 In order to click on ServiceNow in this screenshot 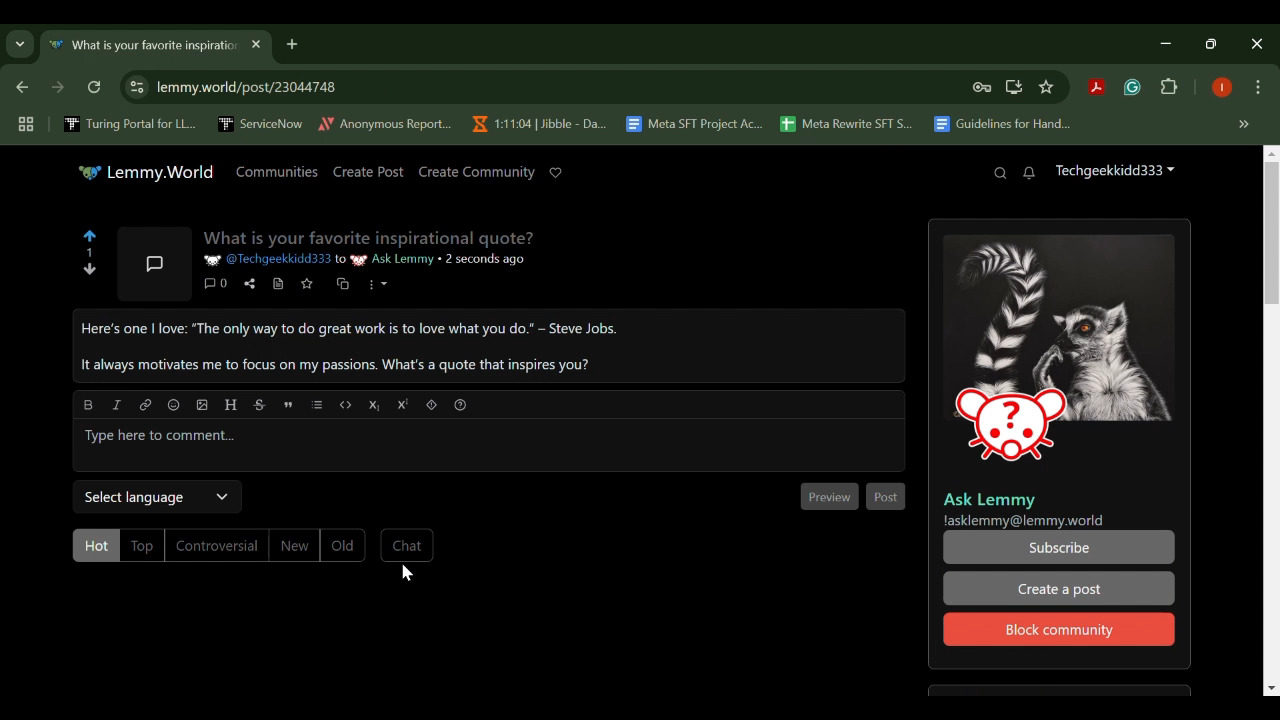, I will do `click(261, 123)`.